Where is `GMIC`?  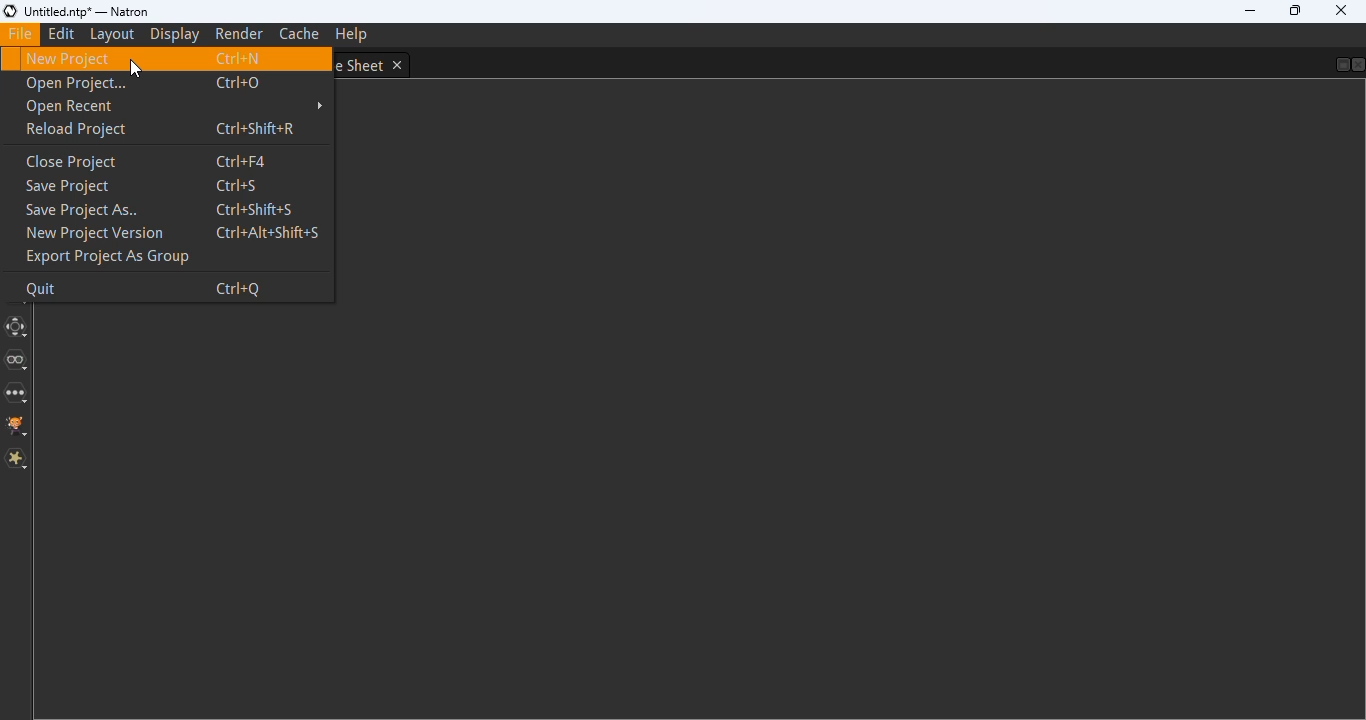
GMIC is located at coordinates (17, 427).